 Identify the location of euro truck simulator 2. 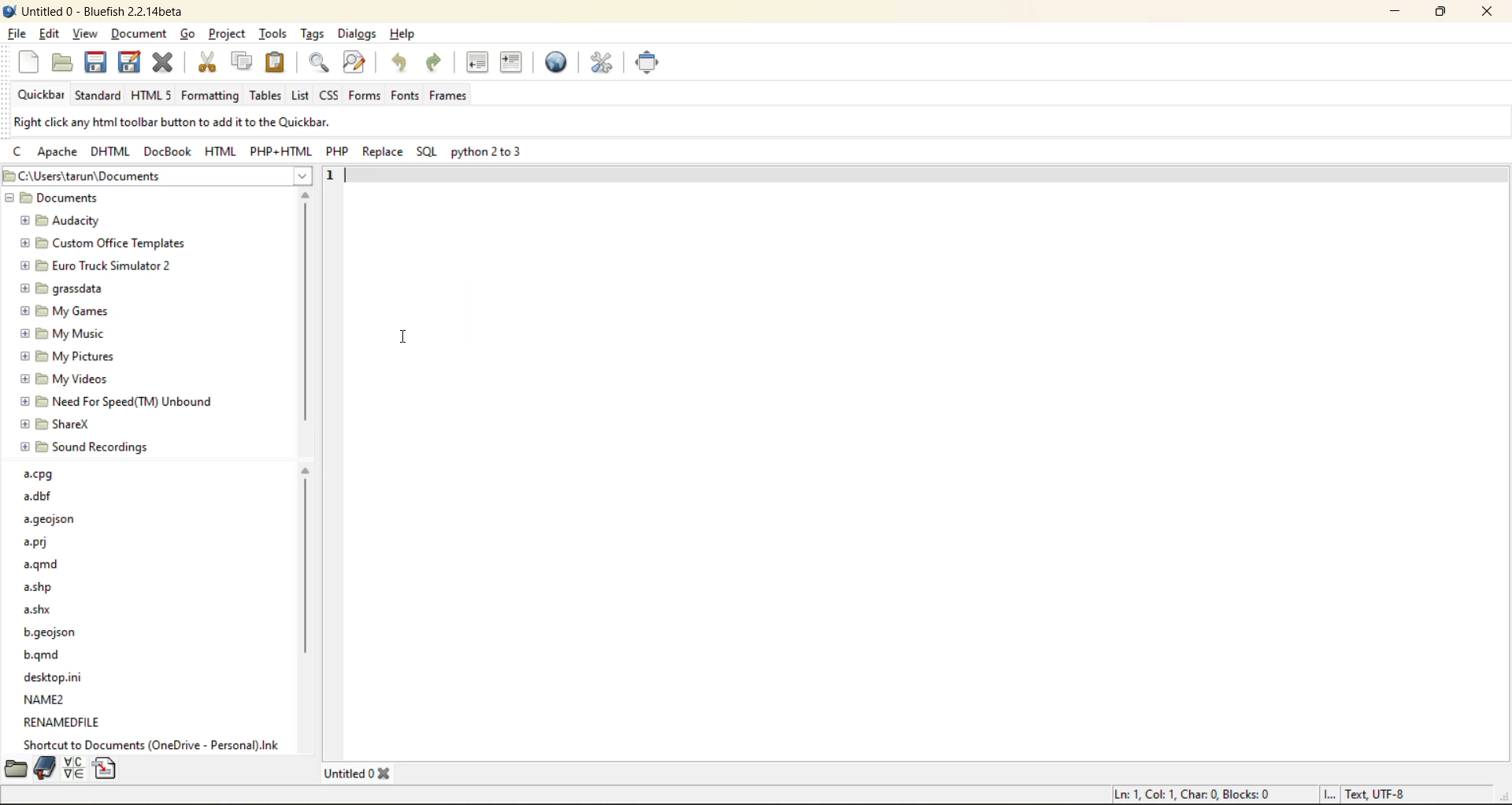
(100, 266).